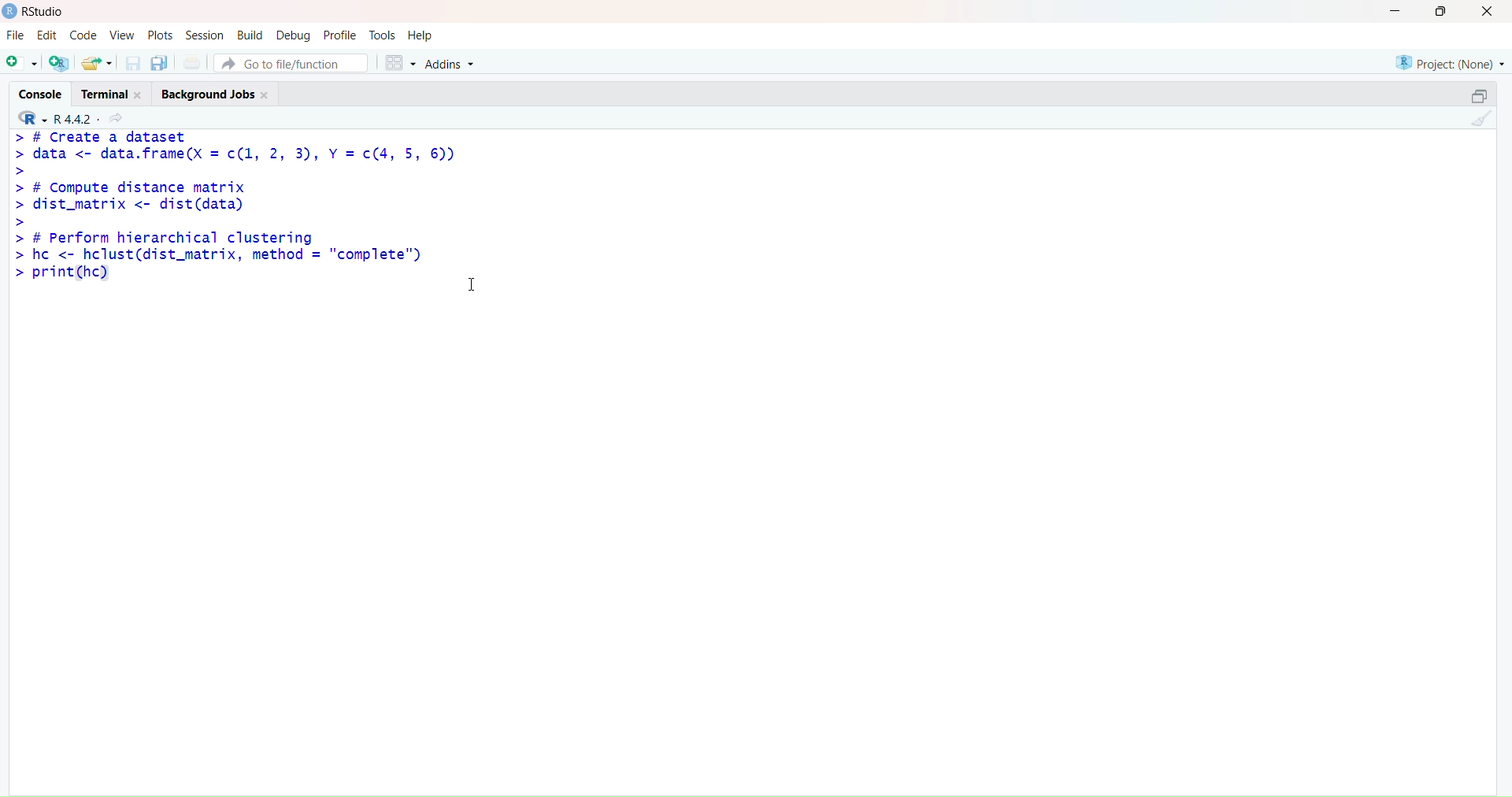 This screenshot has height=797, width=1512. I want to click on Save all open documents (Ctrl + Alt + S), so click(196, 60).